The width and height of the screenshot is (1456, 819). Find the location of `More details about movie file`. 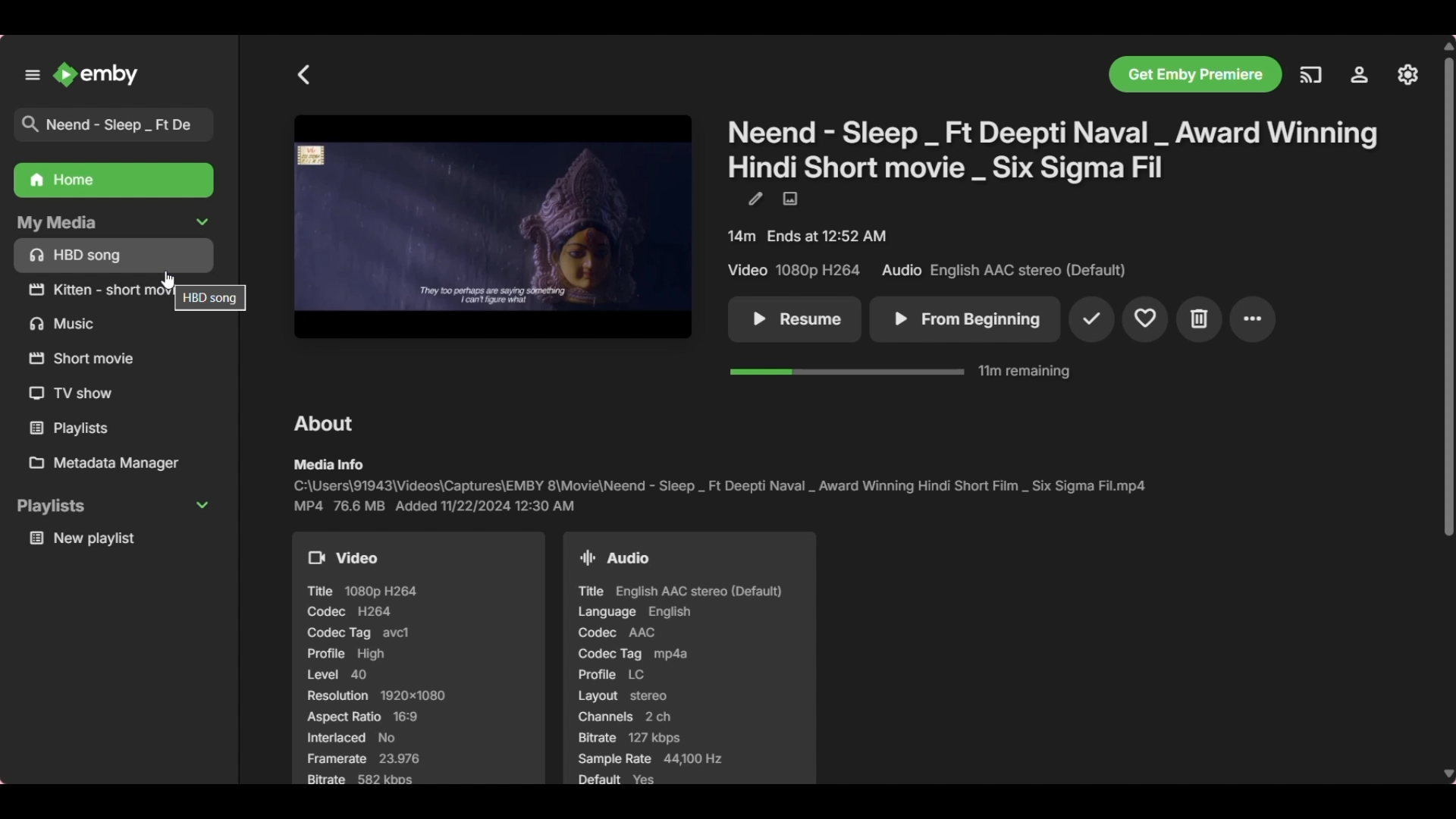

More details about movie file is located at coordinates (435, 506).